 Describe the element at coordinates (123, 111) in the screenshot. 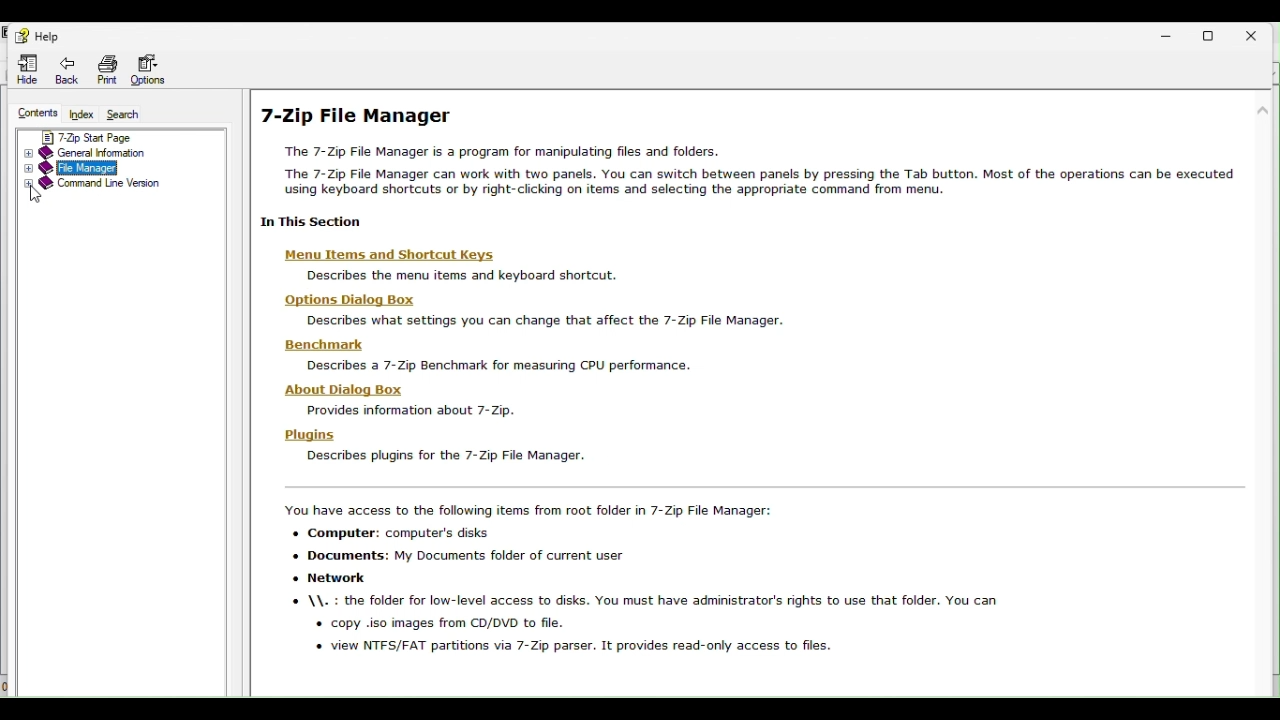

I see `Search` at that location.